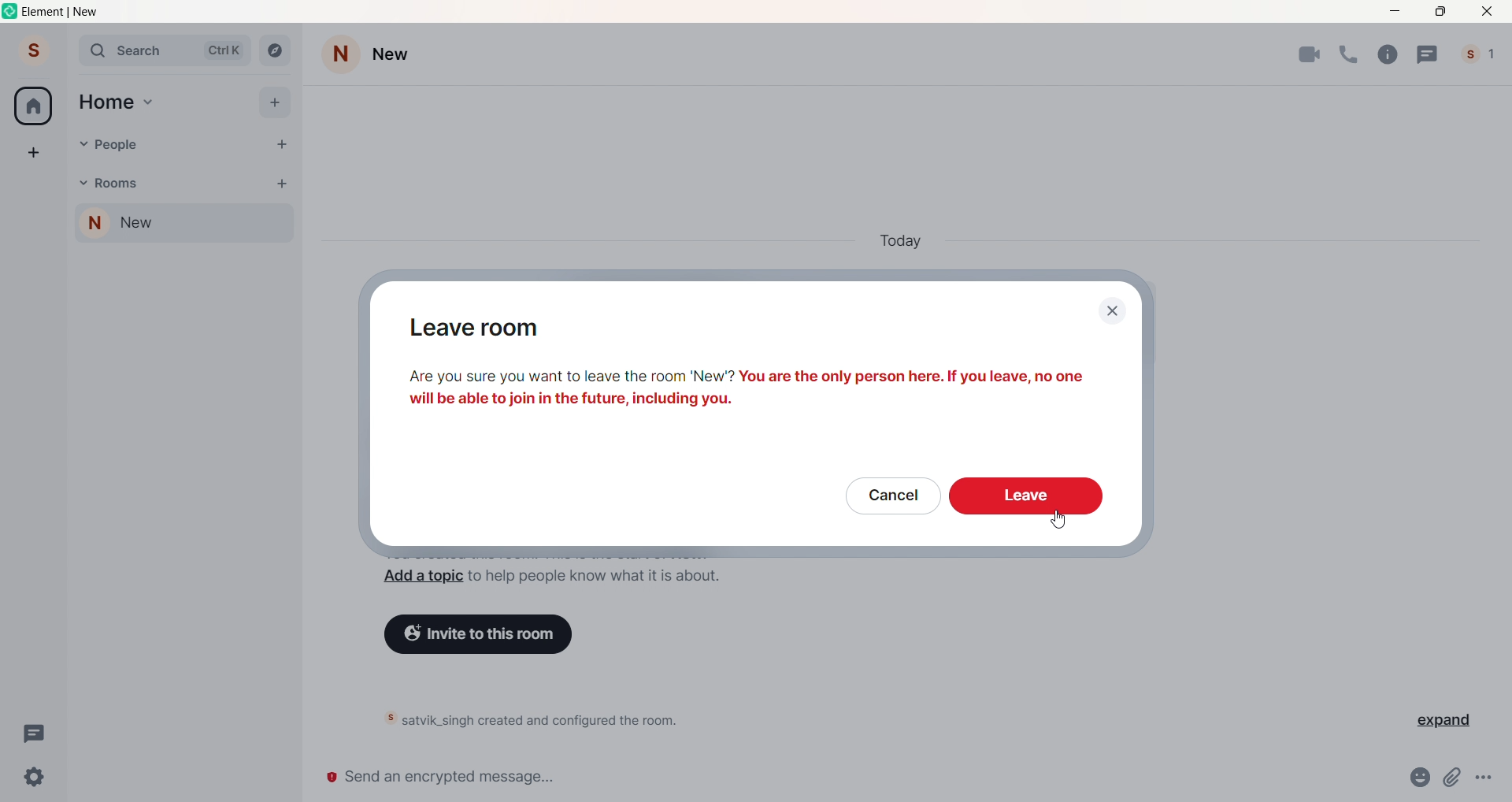 This screenshot has height=802, width=1512. I want to click on Expand, so click(1436, 722).